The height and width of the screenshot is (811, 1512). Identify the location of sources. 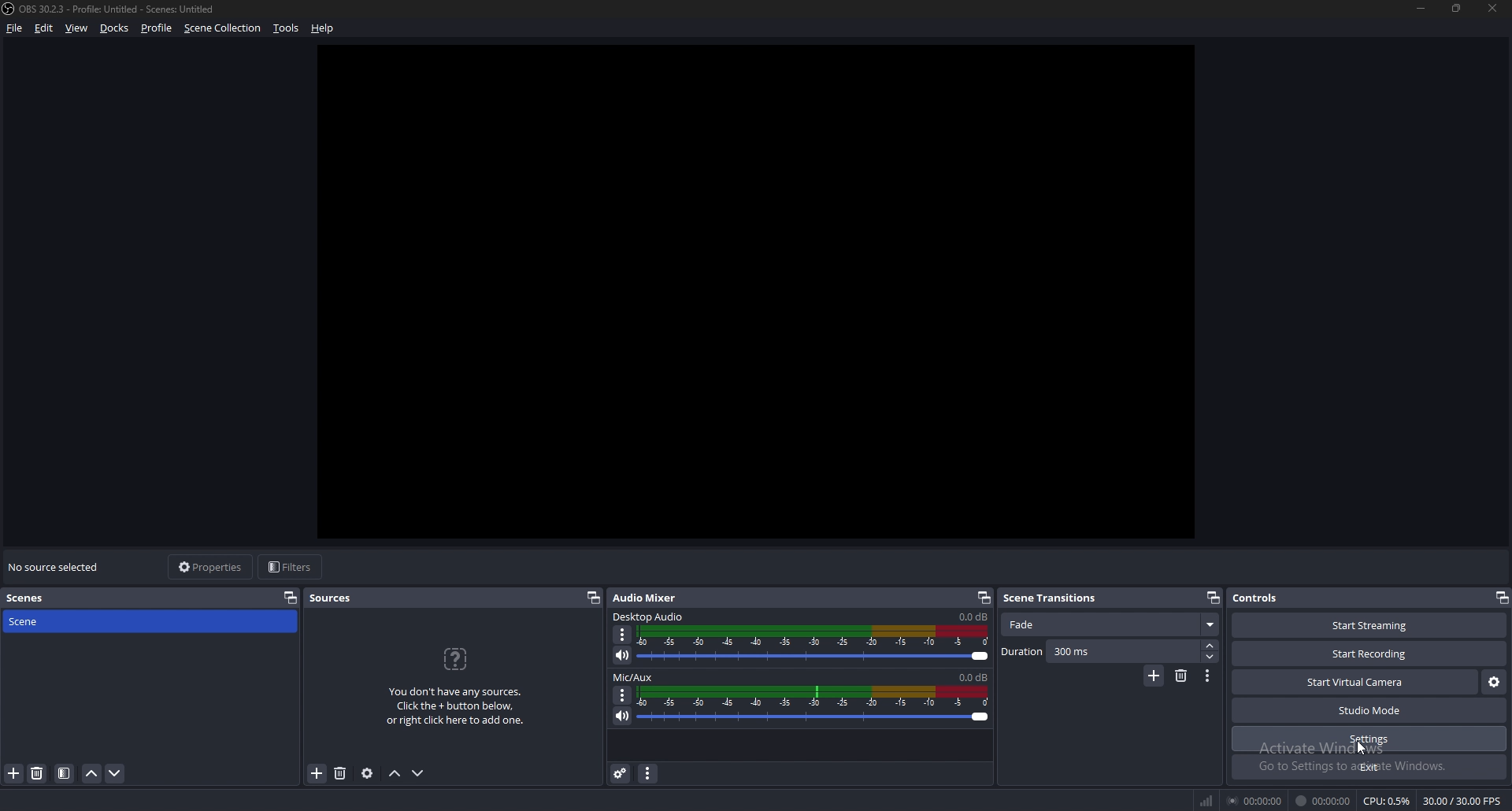
(335, 598).